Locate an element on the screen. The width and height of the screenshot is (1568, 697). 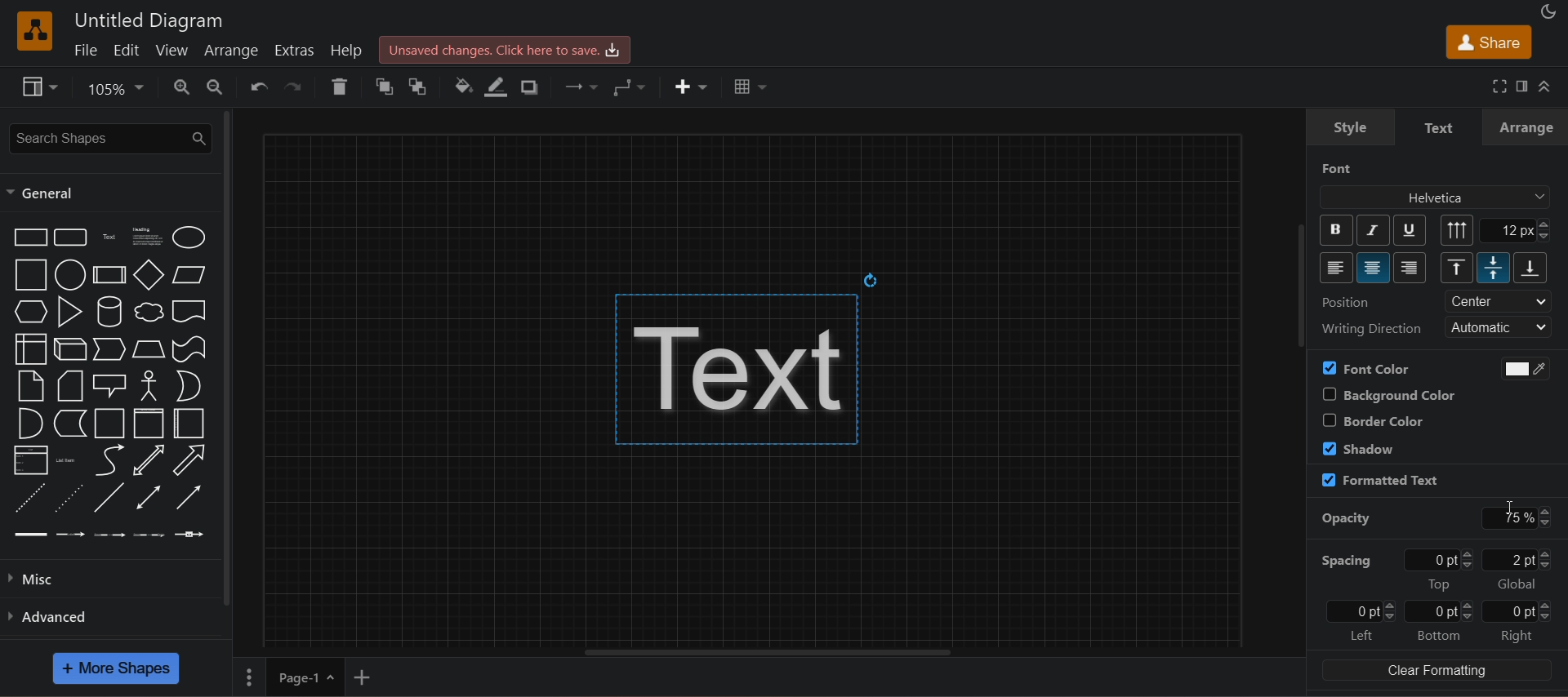
bottom is located at coordinates (1438, 635).